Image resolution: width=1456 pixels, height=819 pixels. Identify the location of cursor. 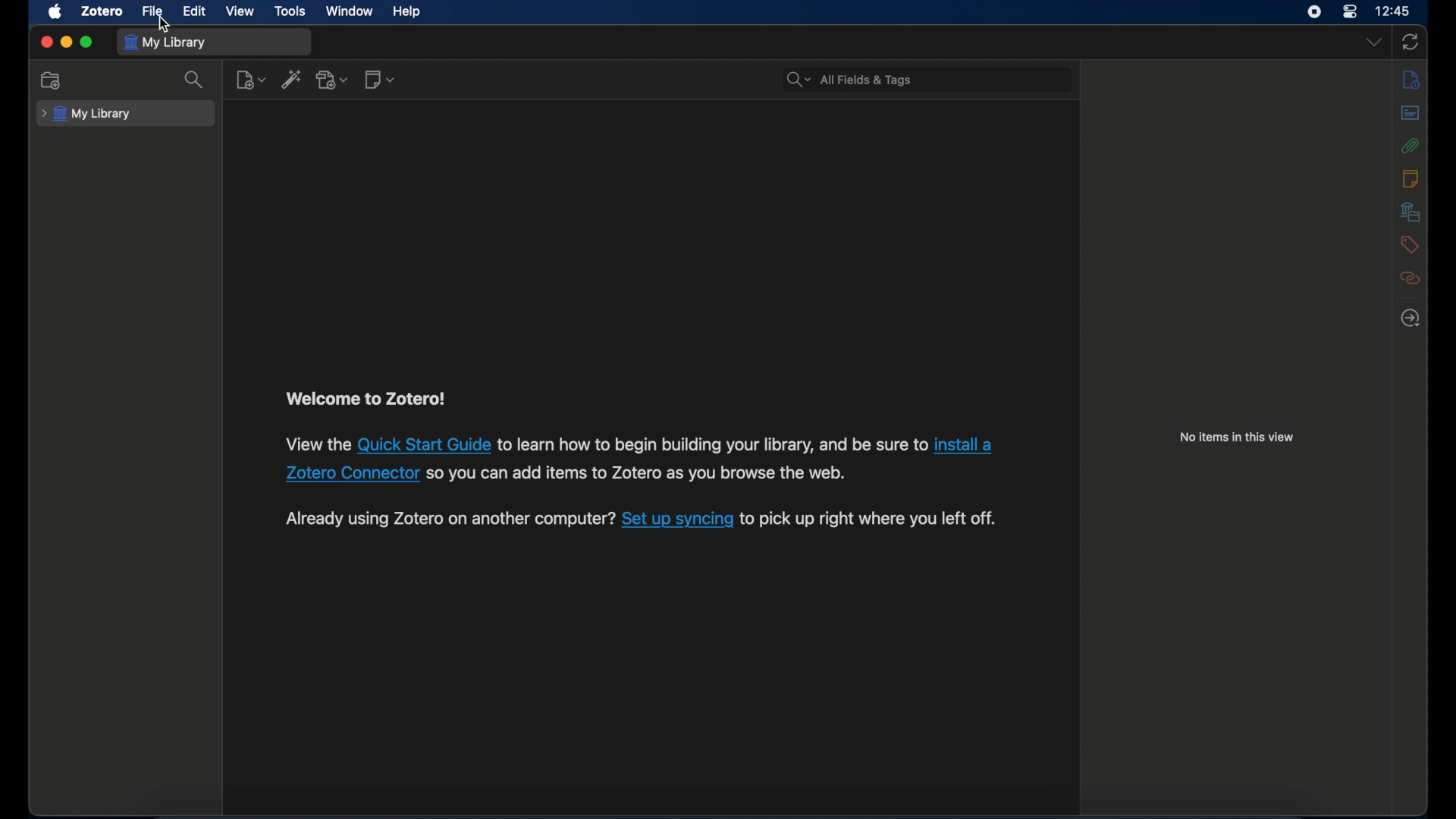
(165, 23).